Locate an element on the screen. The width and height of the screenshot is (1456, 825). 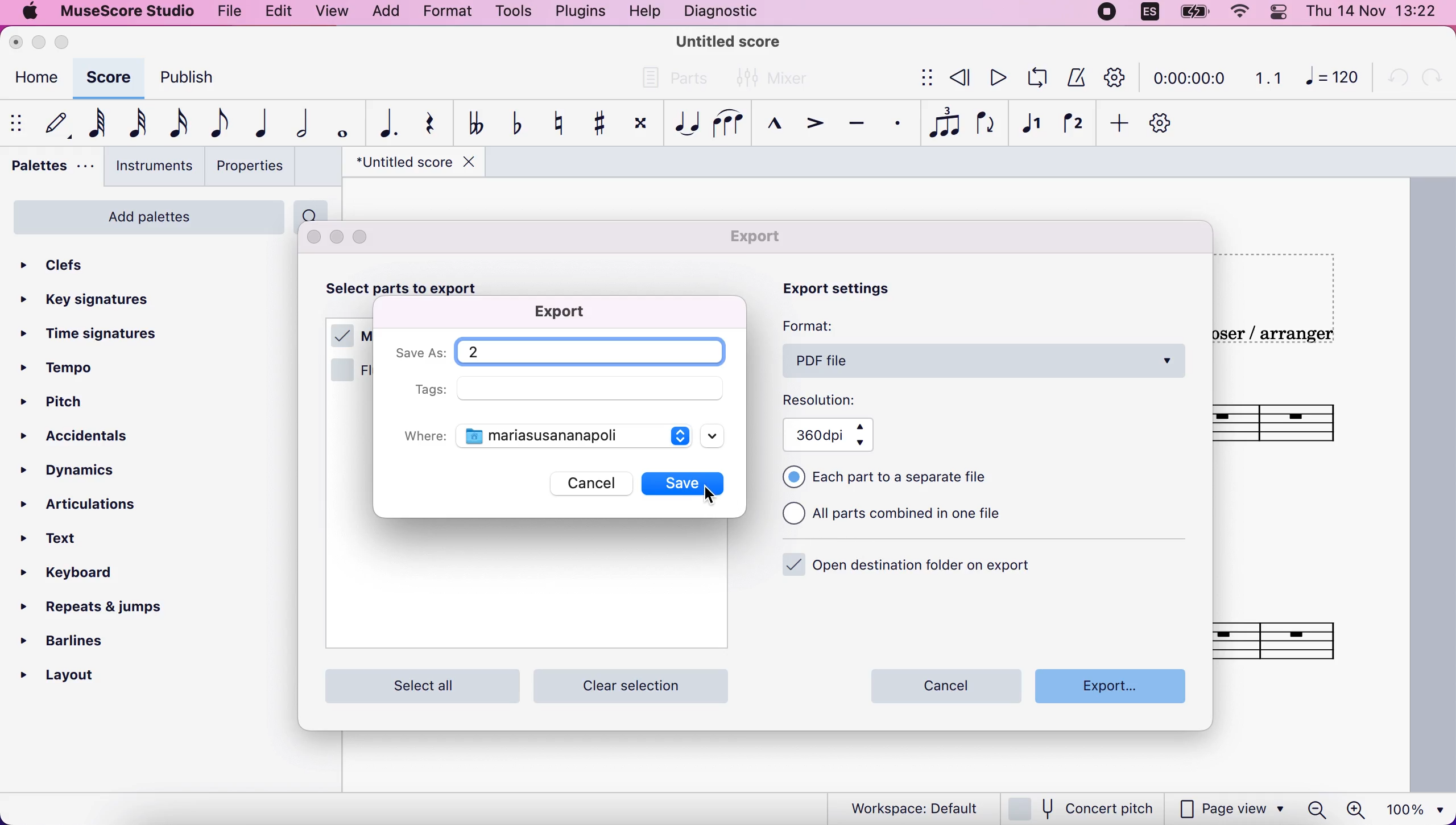
playback loop is located at coordinates (1034, 79).